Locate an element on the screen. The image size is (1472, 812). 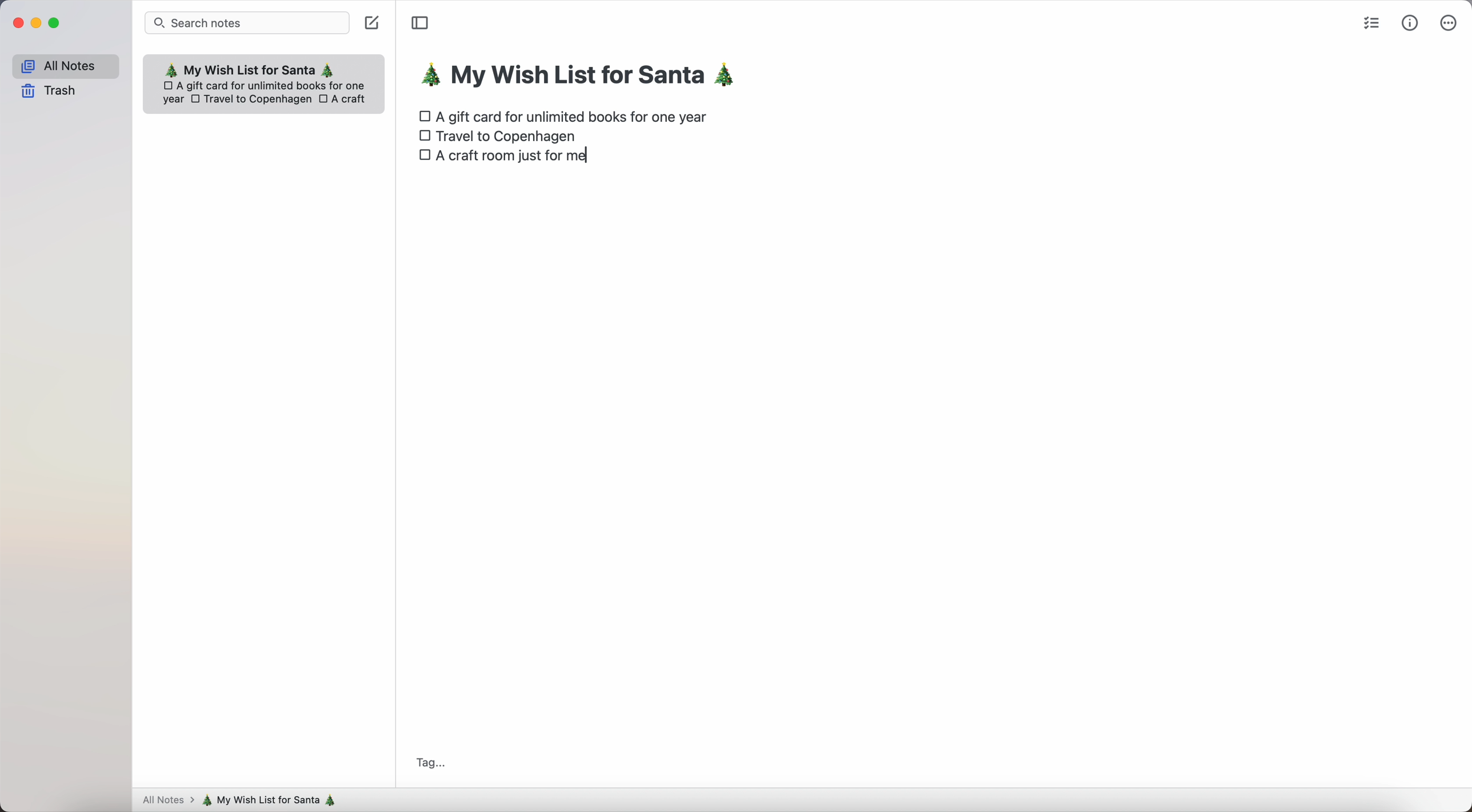
search bar is located at coordinates (247, 22).